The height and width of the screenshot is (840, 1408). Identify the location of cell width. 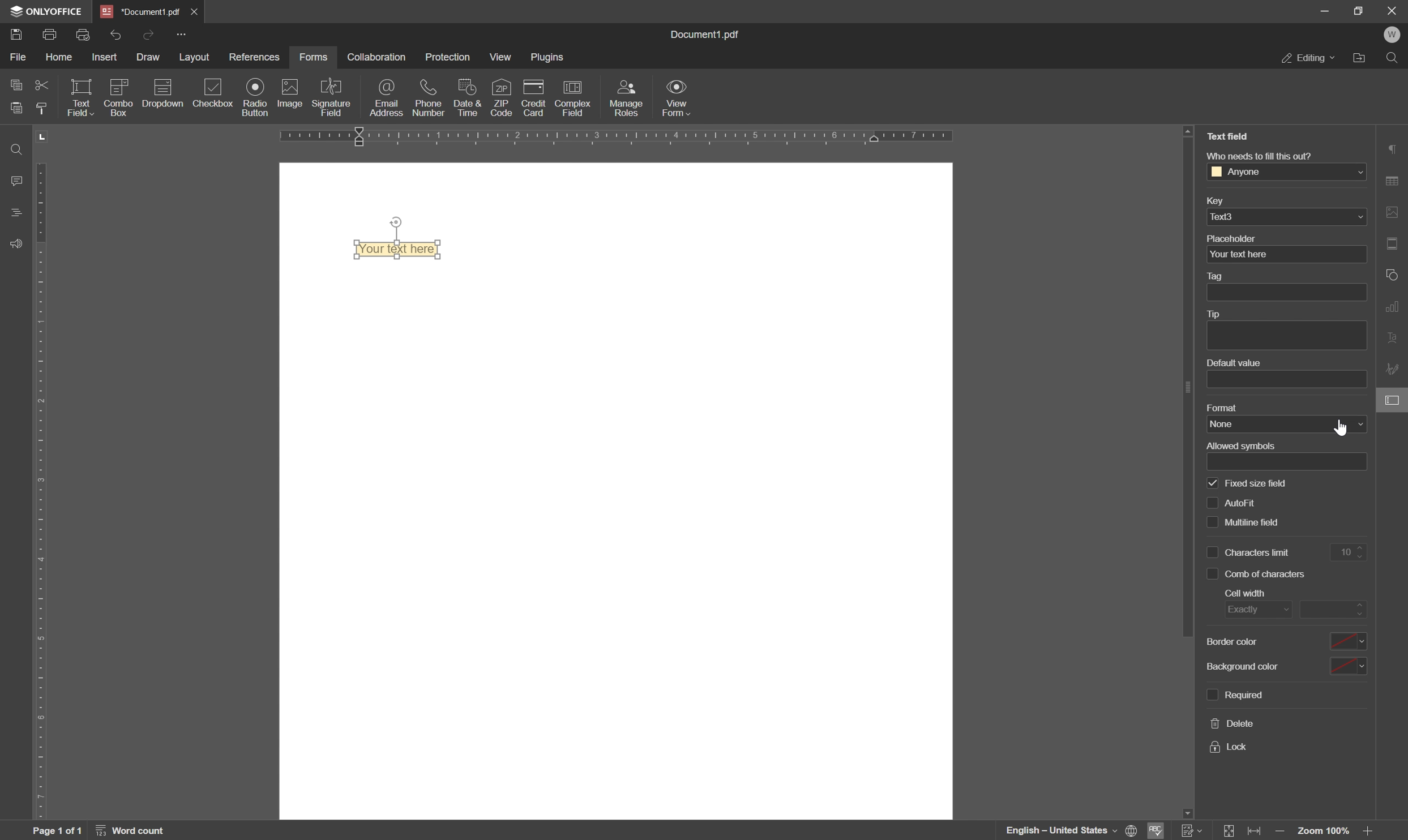
(1244, 593).